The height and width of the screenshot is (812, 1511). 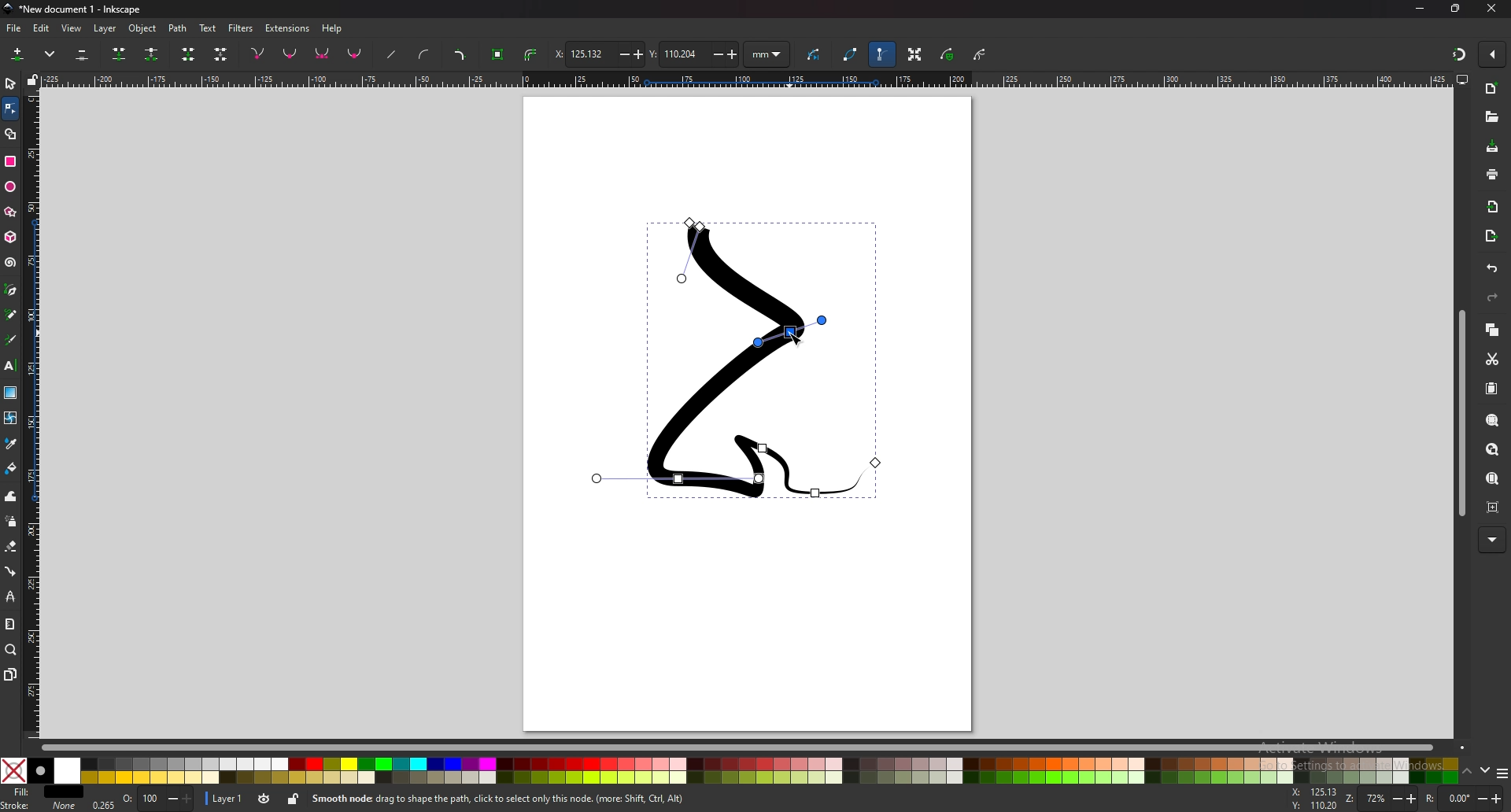 What do you see at coordinates (531, 55) in the screenshot?
I see `stroke to path` at bounding box center [531, 55].